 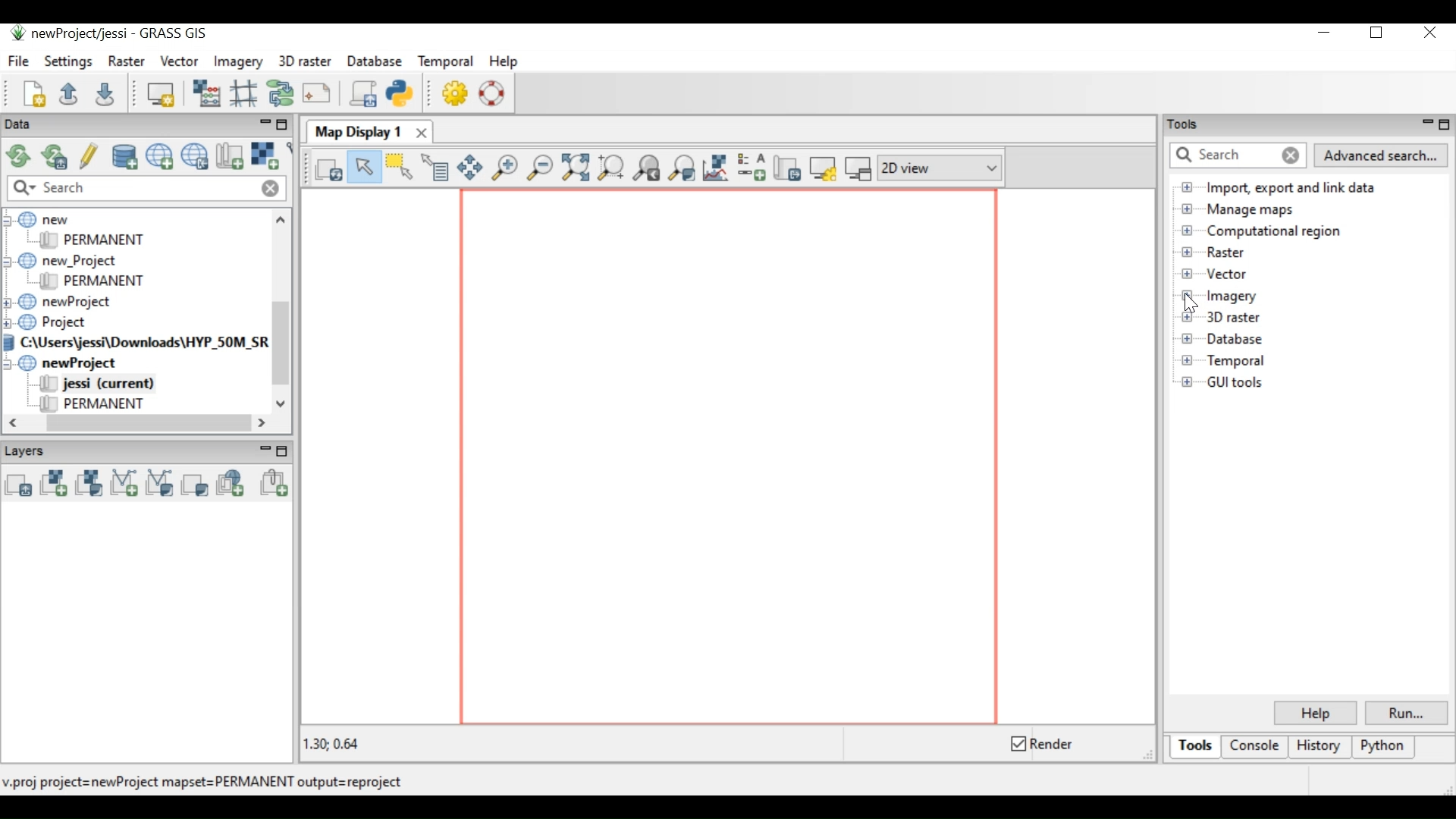 I want to click on Add web service layer, so click(x=231, y=484).